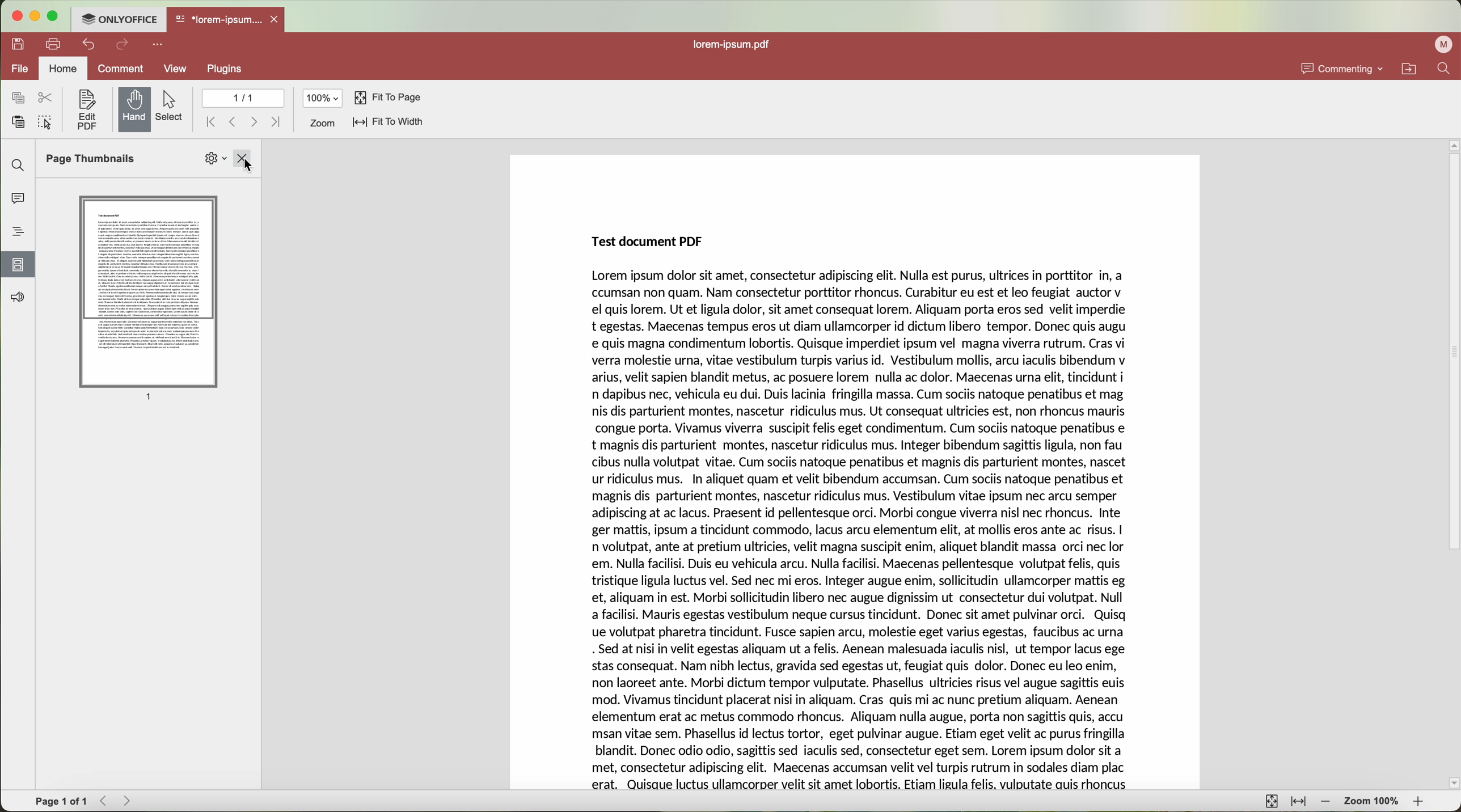 This screenshot has height=812, width=1461. I want to click on zoom in, so click(1422, 802).